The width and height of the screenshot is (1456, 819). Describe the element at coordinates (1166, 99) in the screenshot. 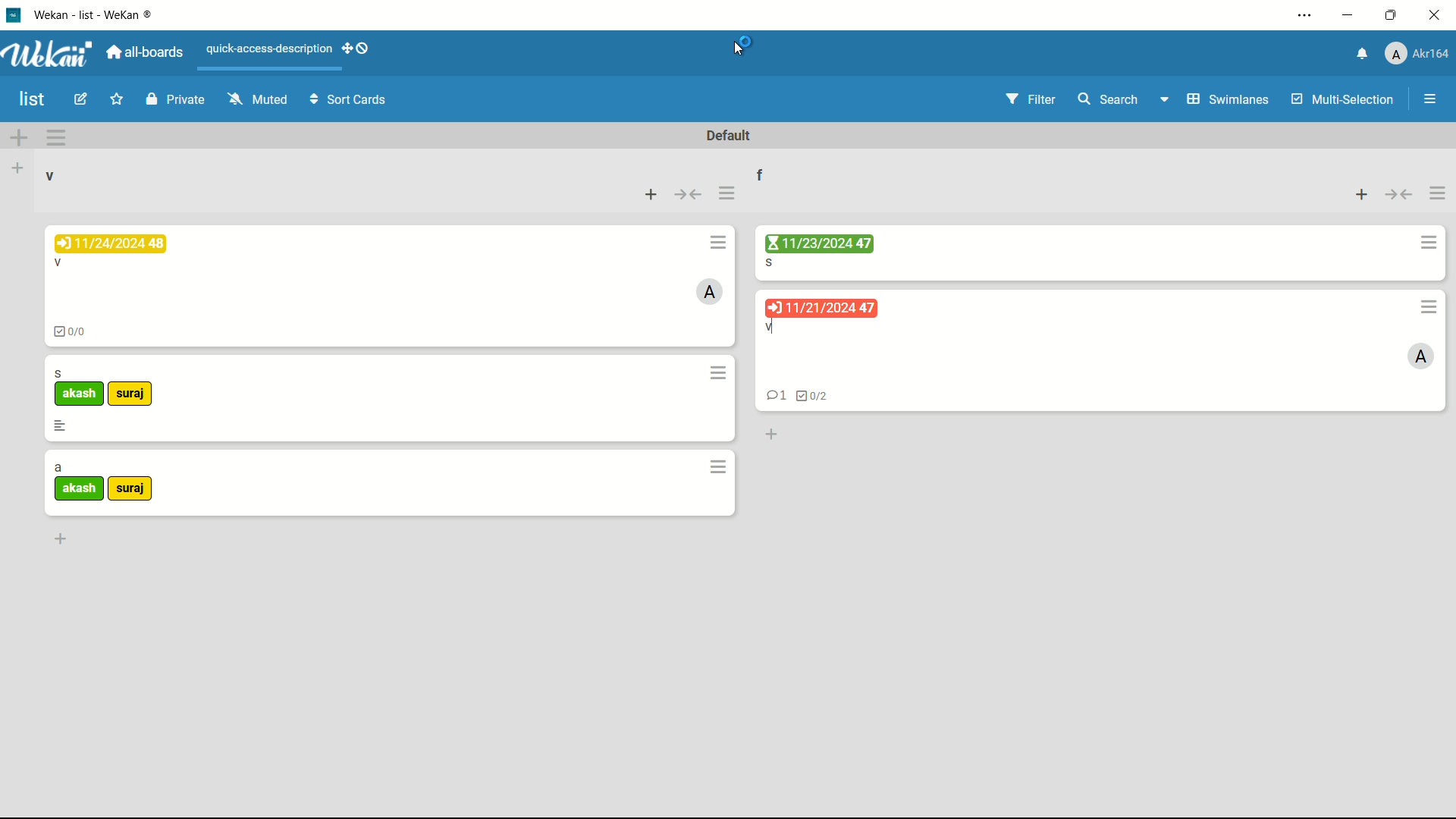

I see `Drop-down ` at that location.